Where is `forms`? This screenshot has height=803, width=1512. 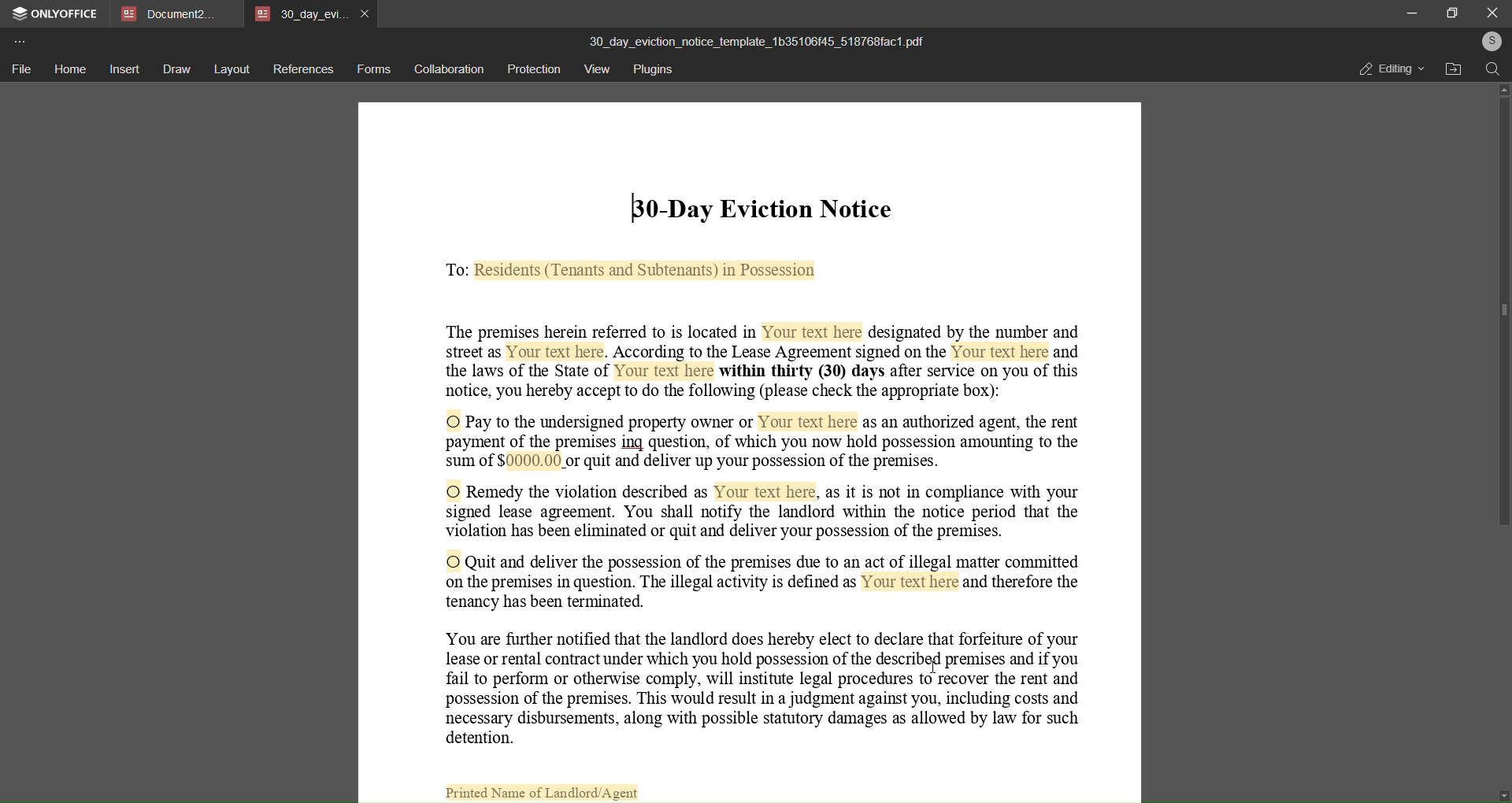 forms is located at coordinates (373, 69).